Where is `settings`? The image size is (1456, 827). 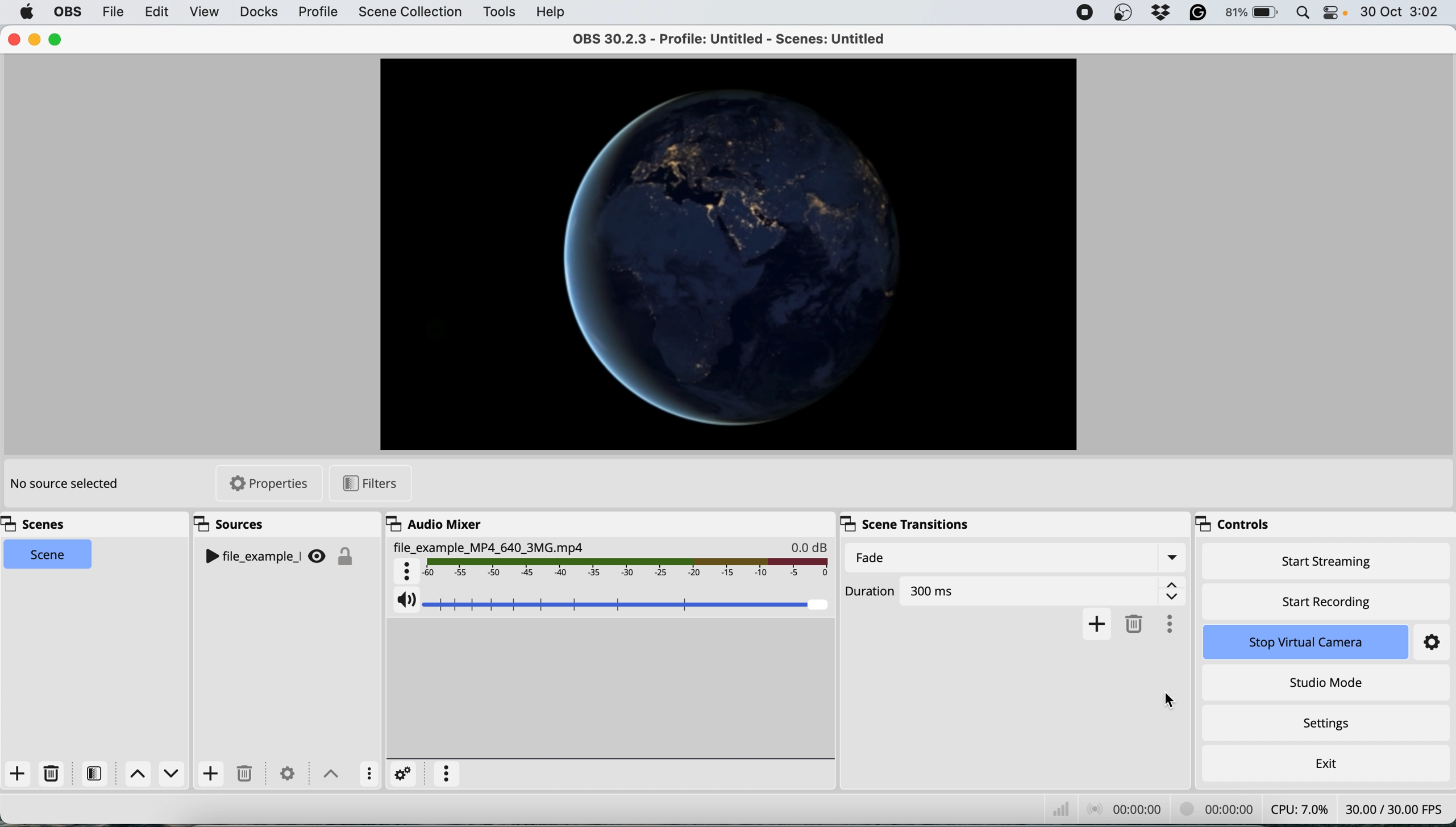 settings is located at coordinates (405, 776).